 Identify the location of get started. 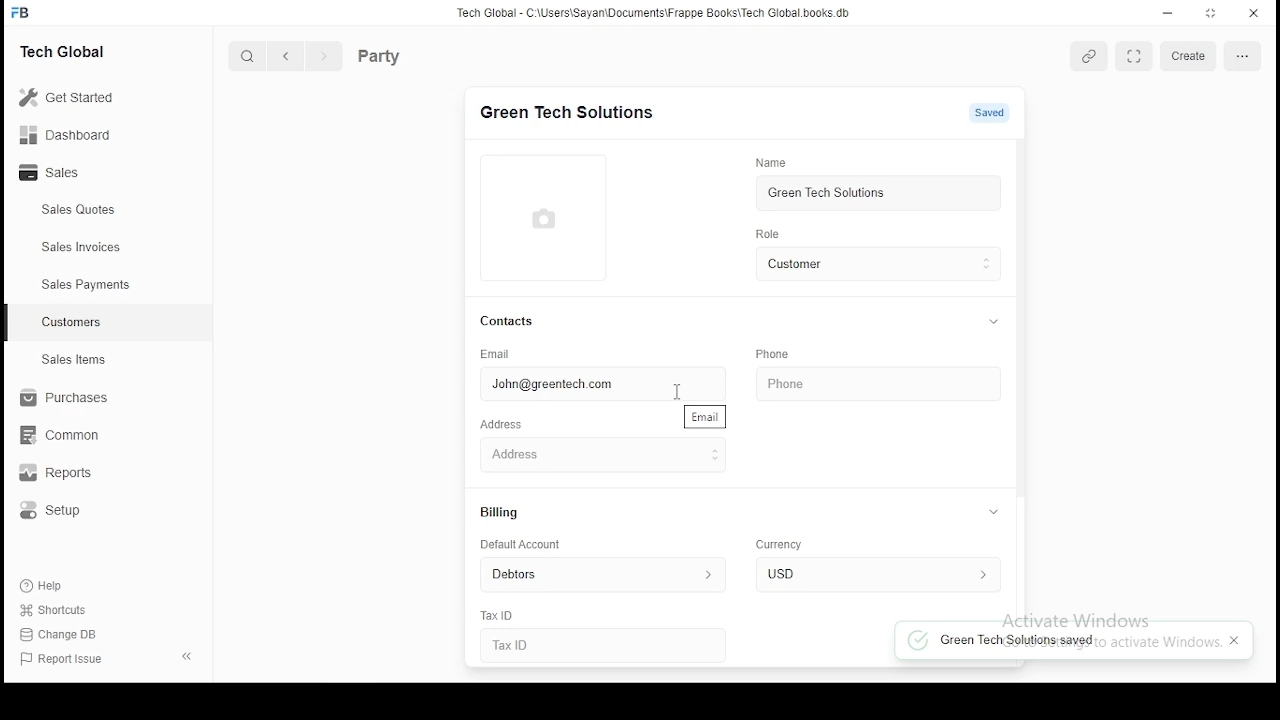
(69, 97).